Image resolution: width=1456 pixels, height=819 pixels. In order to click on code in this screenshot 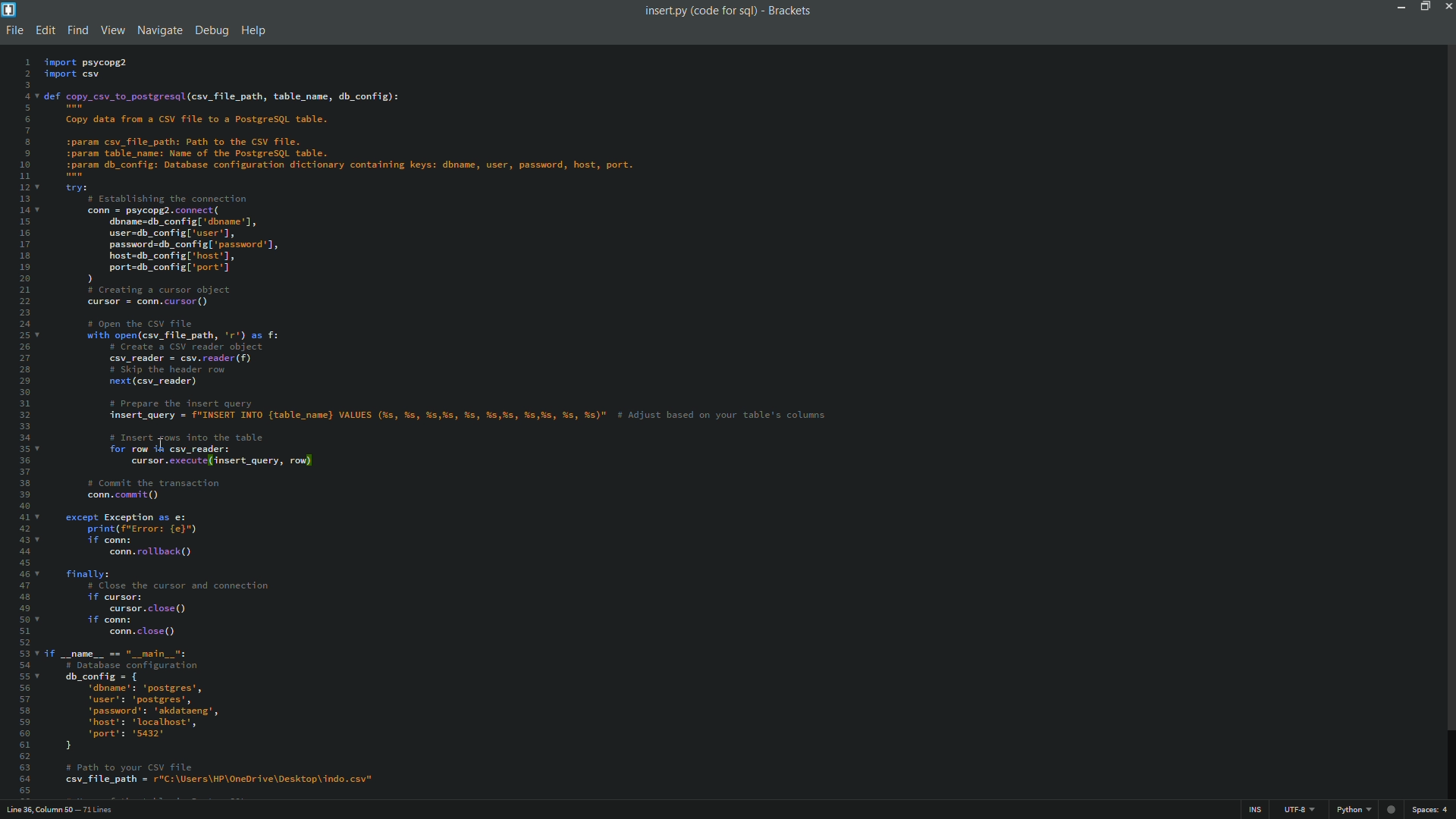, I will do `click(475, 426)`.